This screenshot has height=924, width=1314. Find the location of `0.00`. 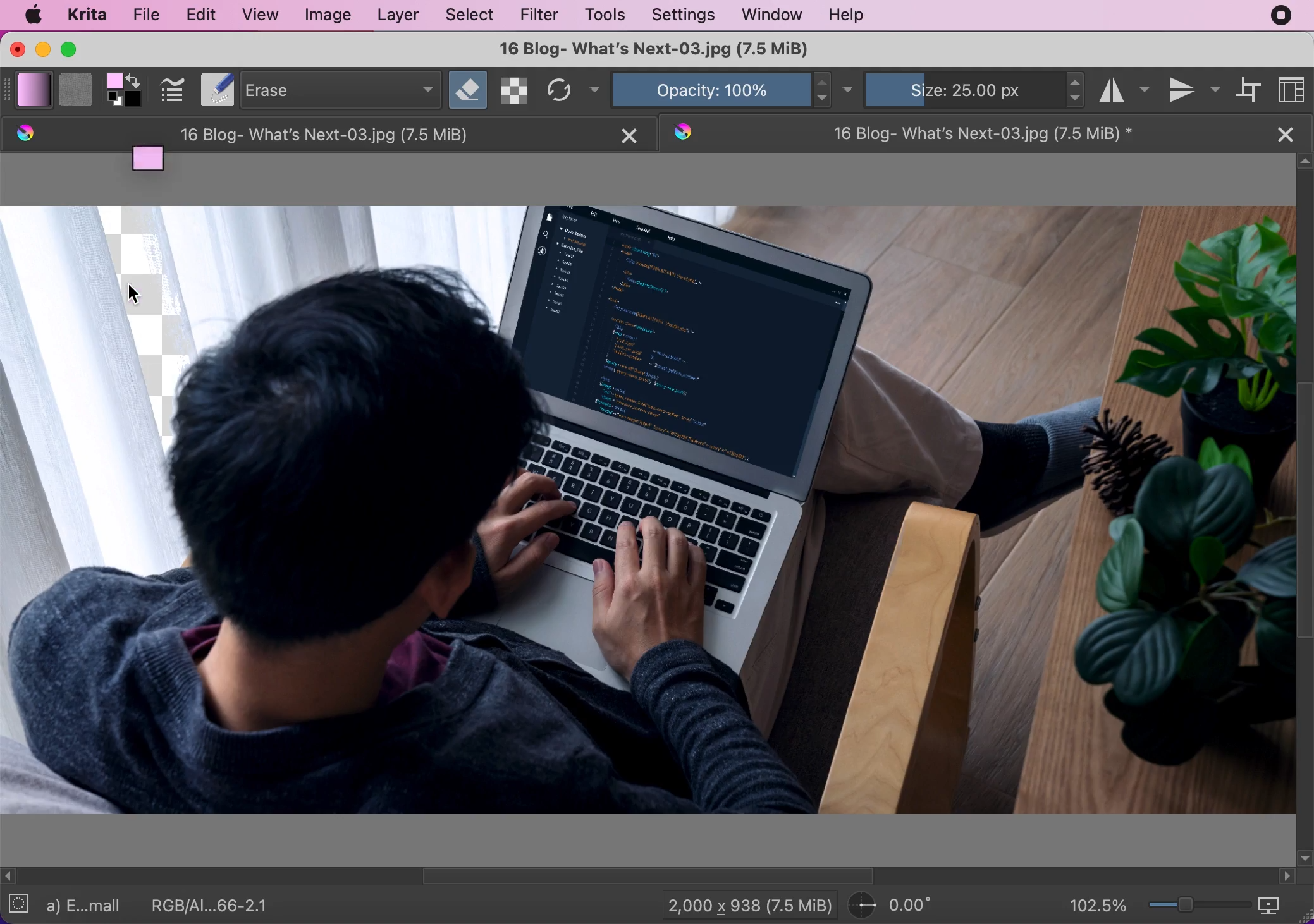

0.00 is located at coordinates (904, 905).